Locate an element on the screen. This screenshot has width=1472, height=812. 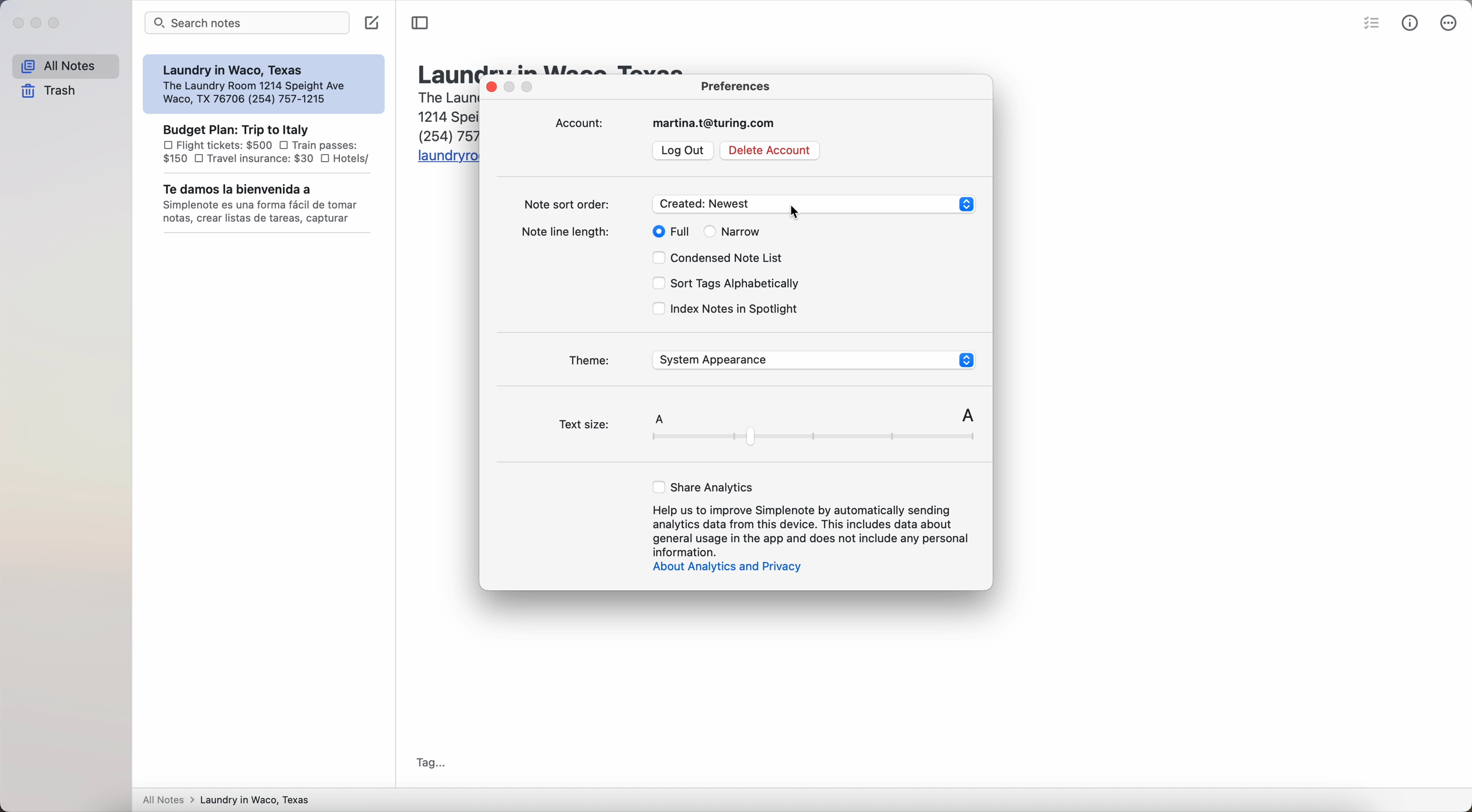
body text: The Laundry Room 1214 Speight Ave Waco, TX 76706 (254) 757-1215 is located at coordinates (443, 115).